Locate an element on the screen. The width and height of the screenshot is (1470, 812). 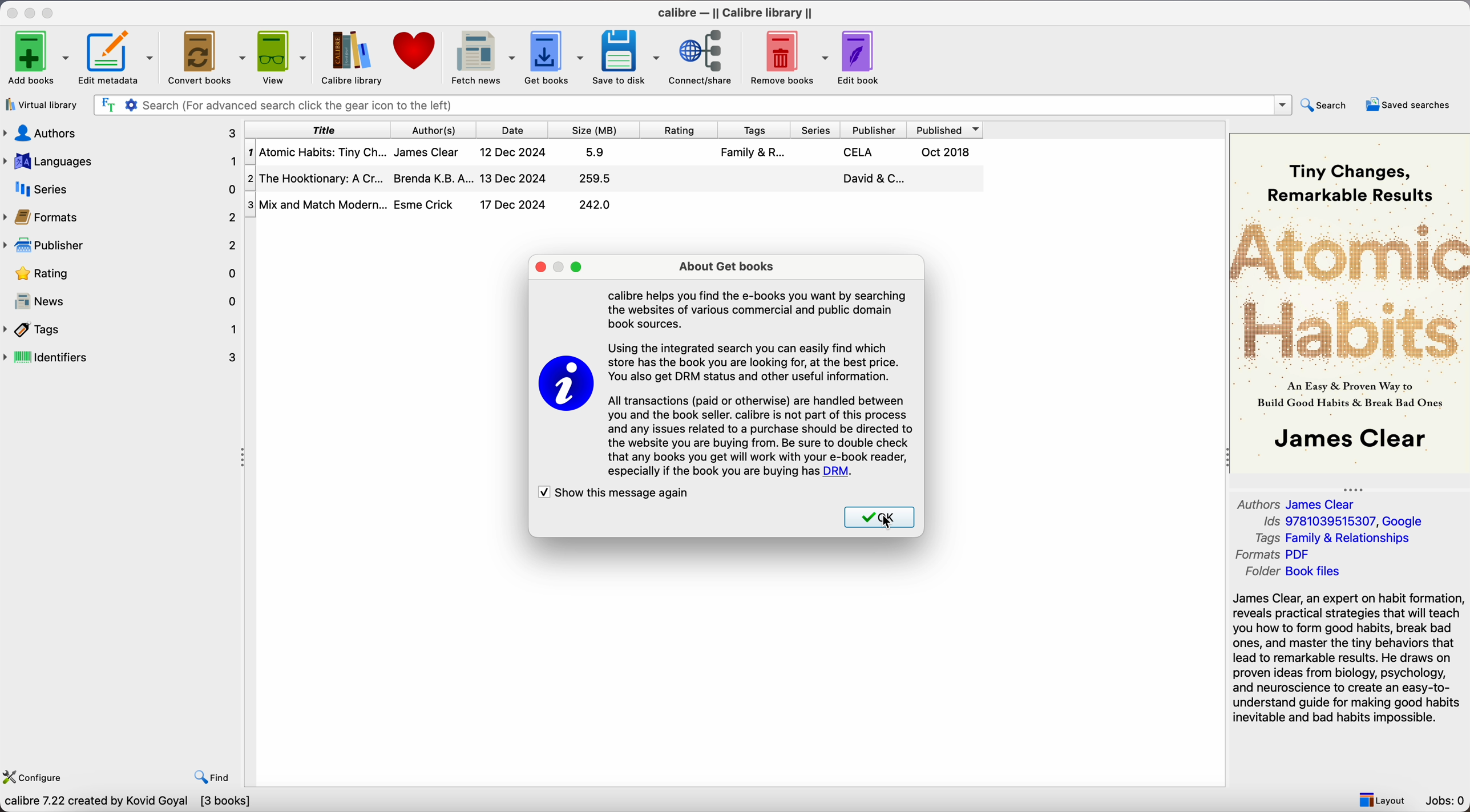
maximize is located at coordinates (578, 268).